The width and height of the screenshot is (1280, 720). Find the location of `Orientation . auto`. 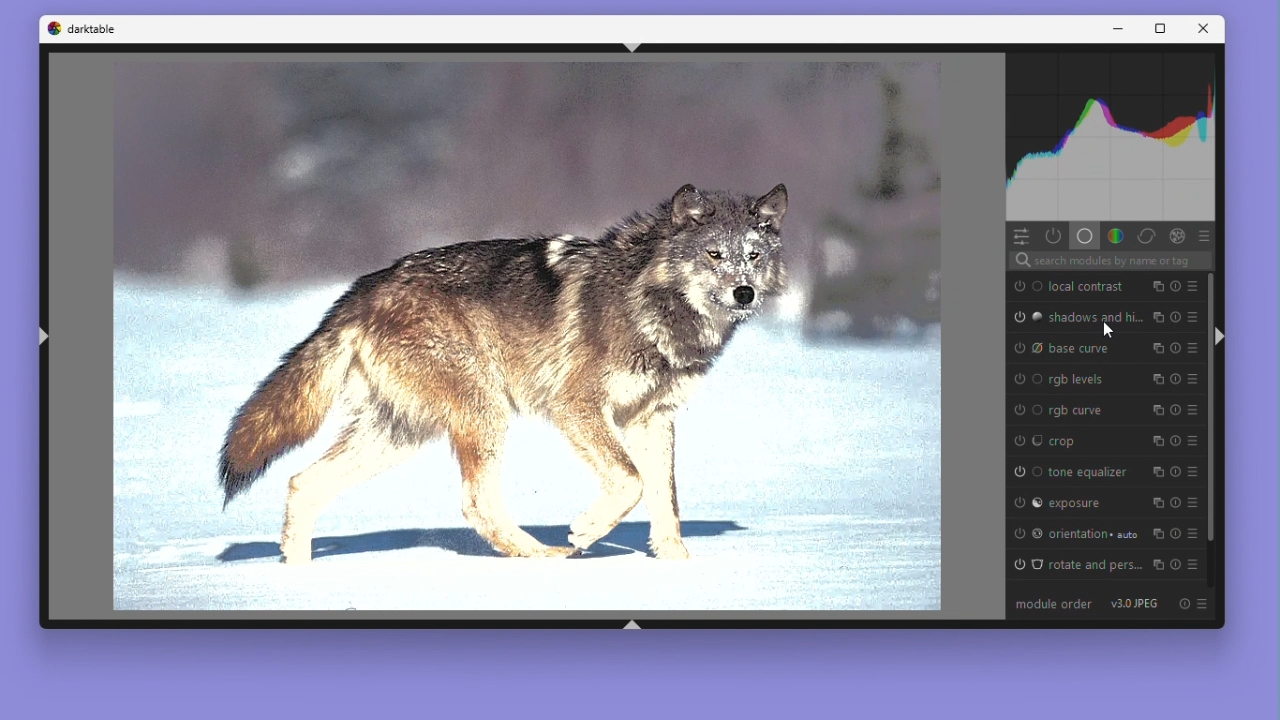

Orientation . auto is located at coordinates (1096, 531).